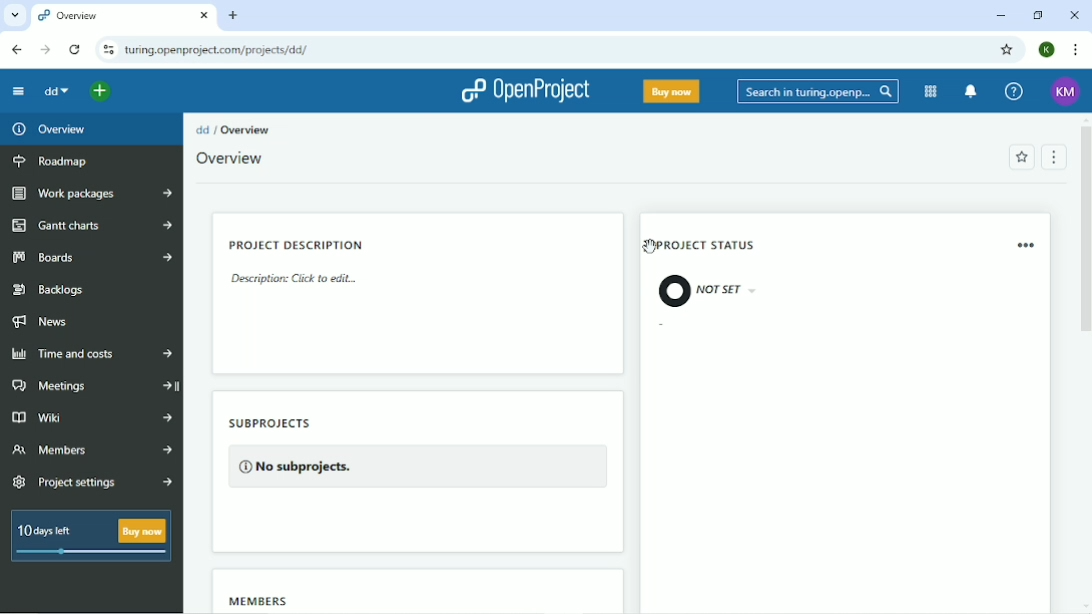 This screenshot has width=1092, height=614. Describe the element at coordinates (19, 92) in the screenshot. I see `Collapse project menu` at that location.